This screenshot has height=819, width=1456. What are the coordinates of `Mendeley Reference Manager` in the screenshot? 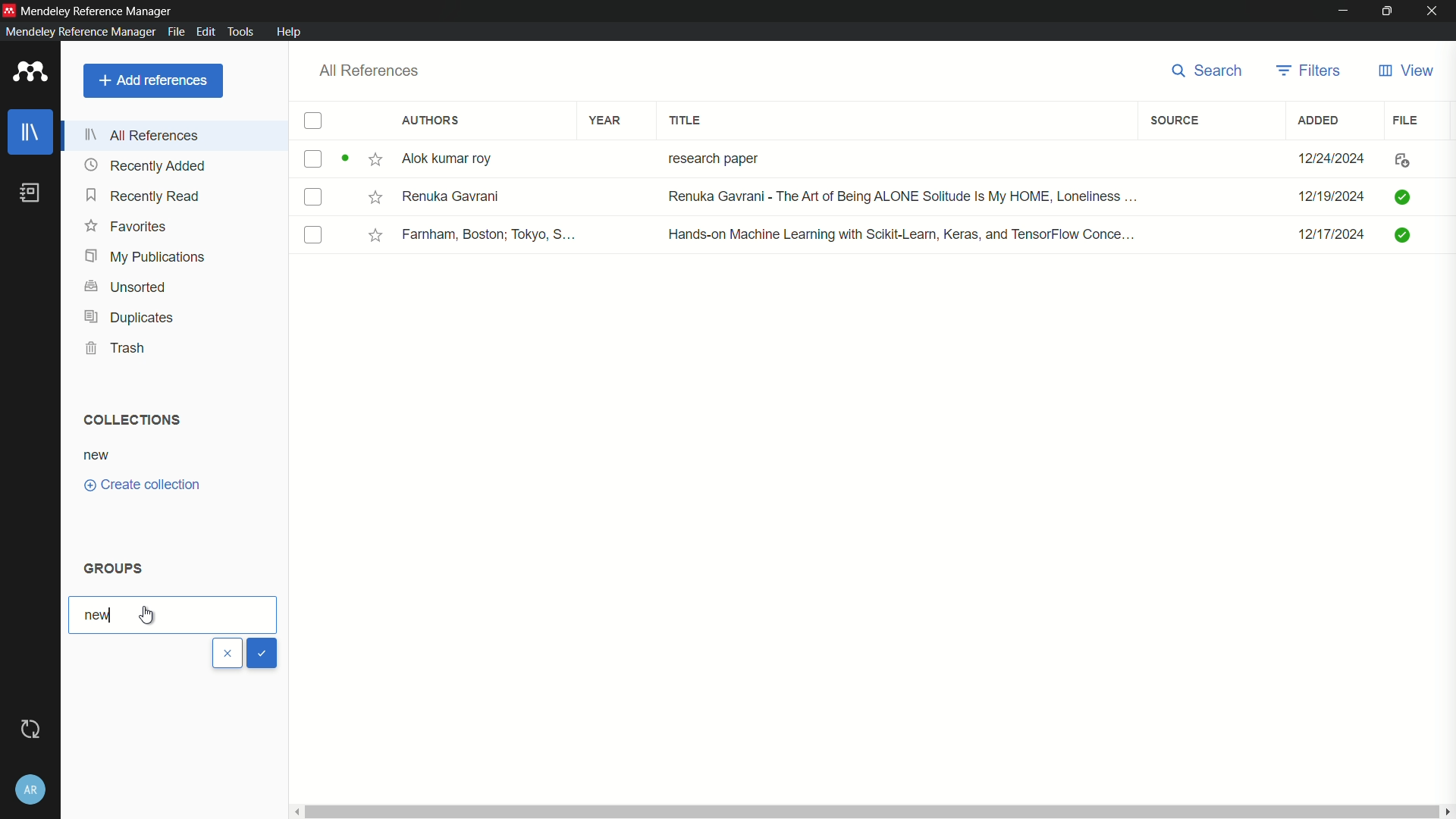 It's located at (99, 9).